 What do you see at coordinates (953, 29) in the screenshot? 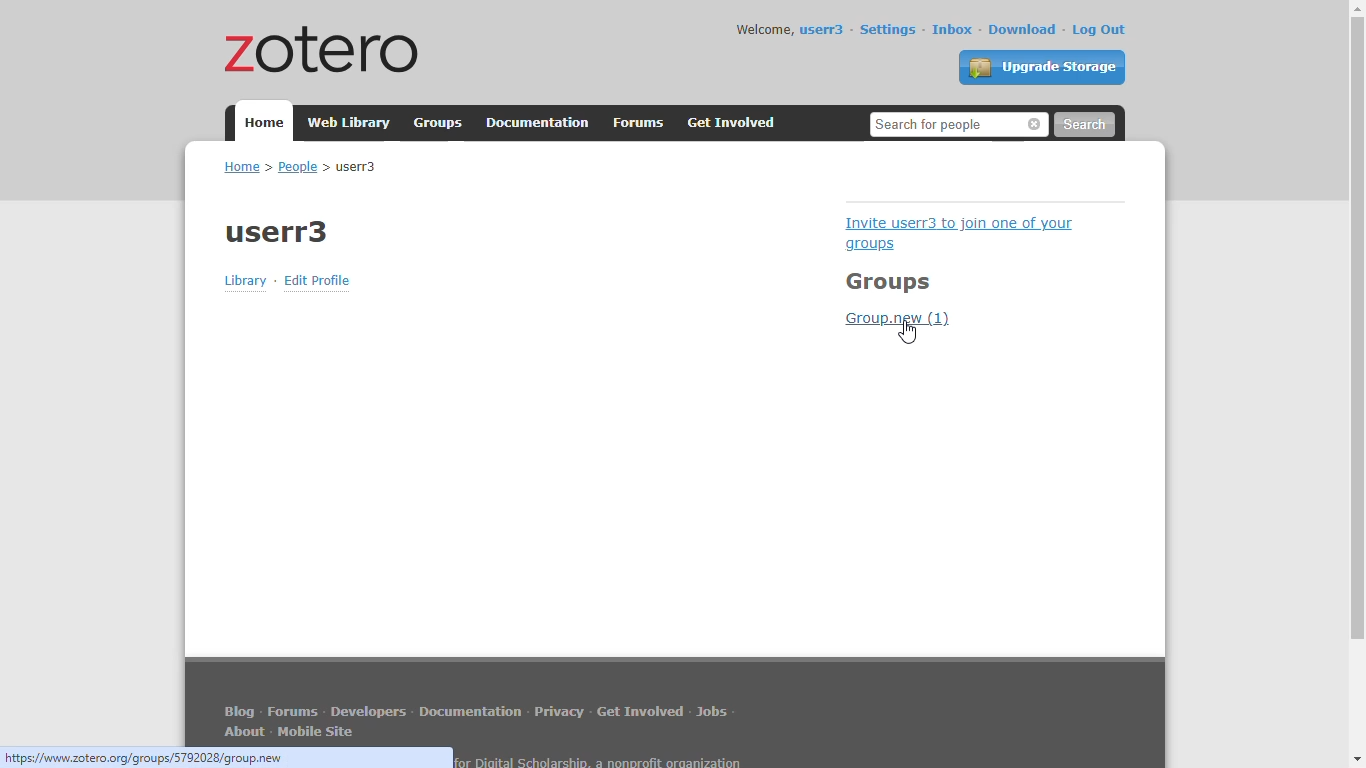
I see `inbox` at bounding box center [953, 29].